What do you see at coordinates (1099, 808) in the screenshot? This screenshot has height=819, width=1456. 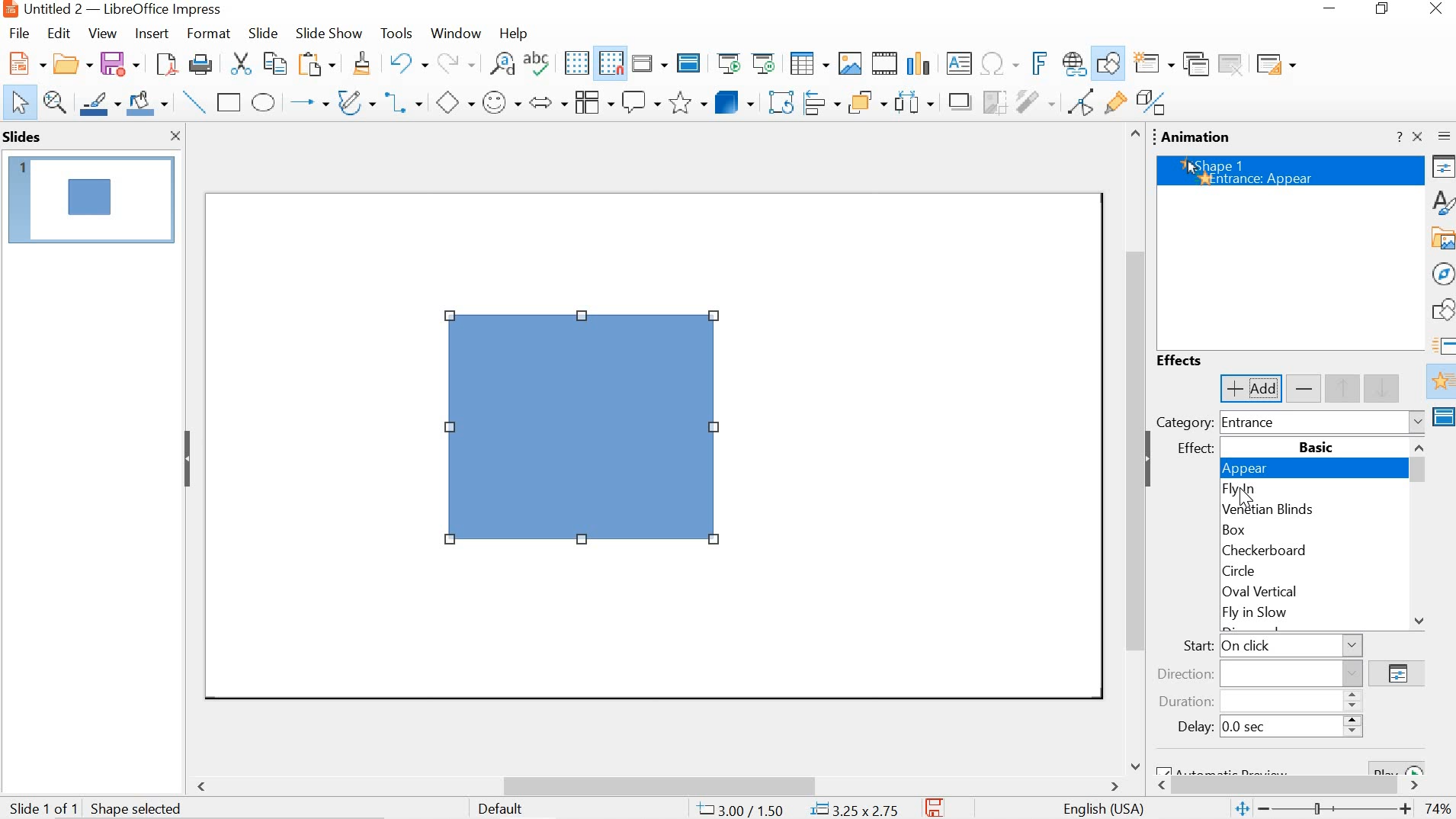 I see `English(USA)` at bounding box center [1099, 808].